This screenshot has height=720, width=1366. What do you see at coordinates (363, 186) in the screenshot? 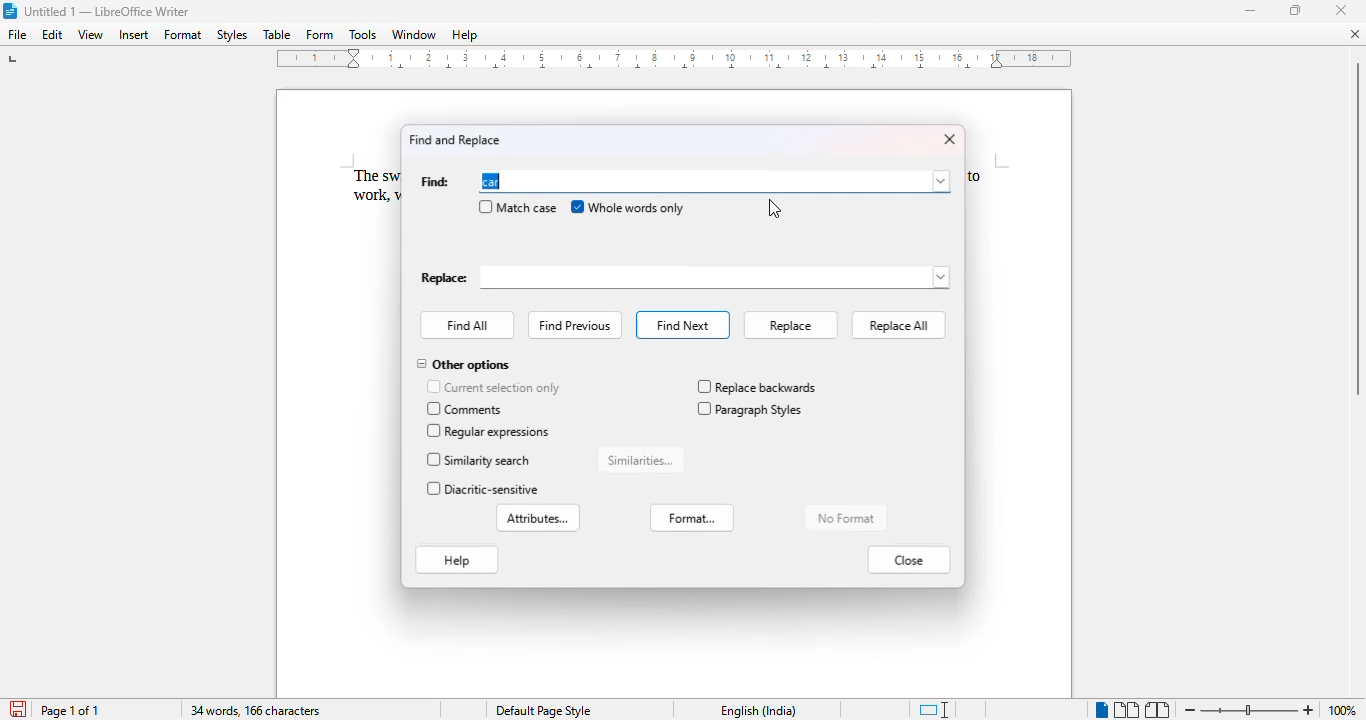
I see `The sw work,` at bounding box center [363, 186].